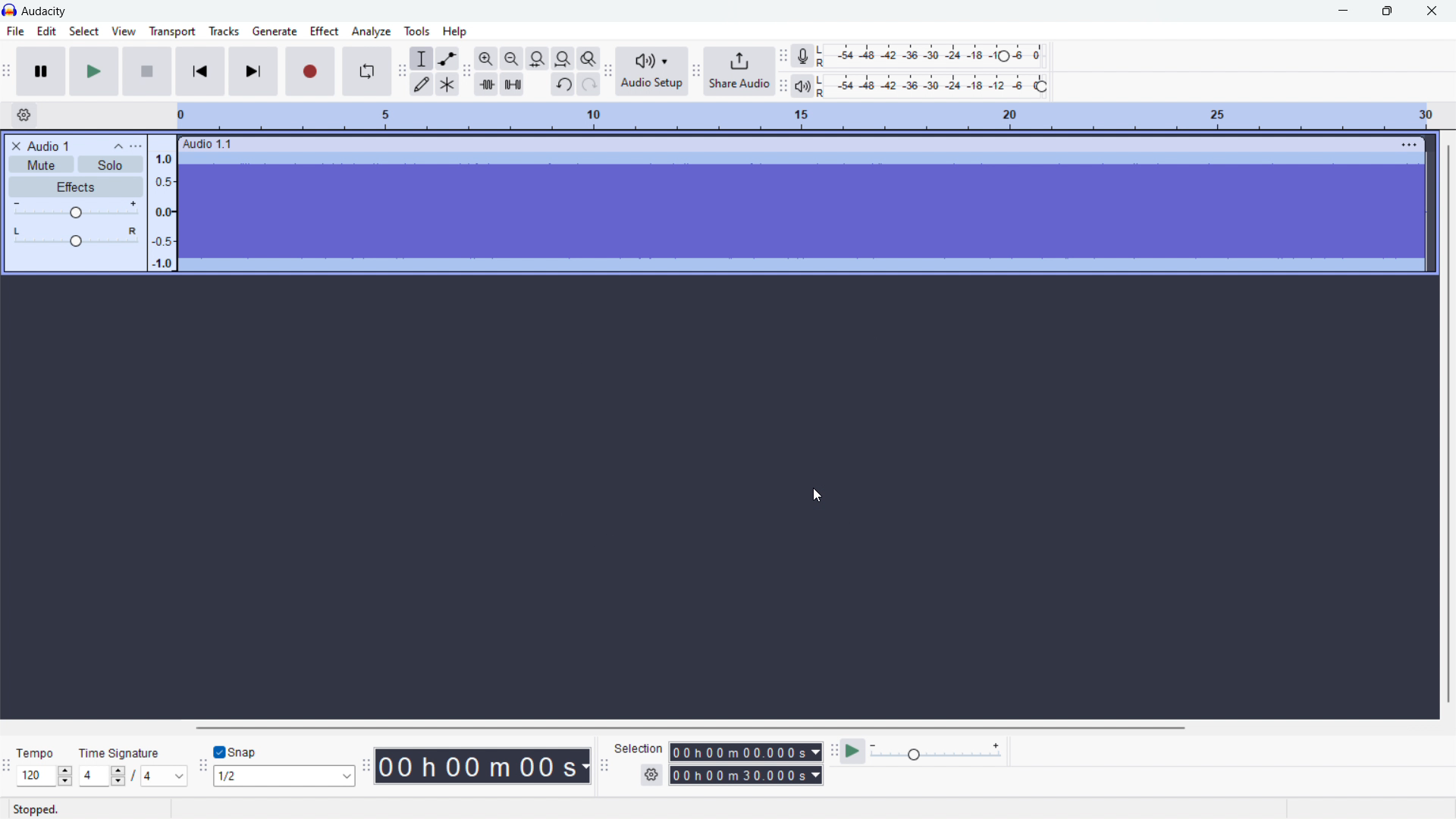  What do you see at coordinates (366, 762) in the screenshot?
I see `time toolbar` at bounding box center [366, 762].